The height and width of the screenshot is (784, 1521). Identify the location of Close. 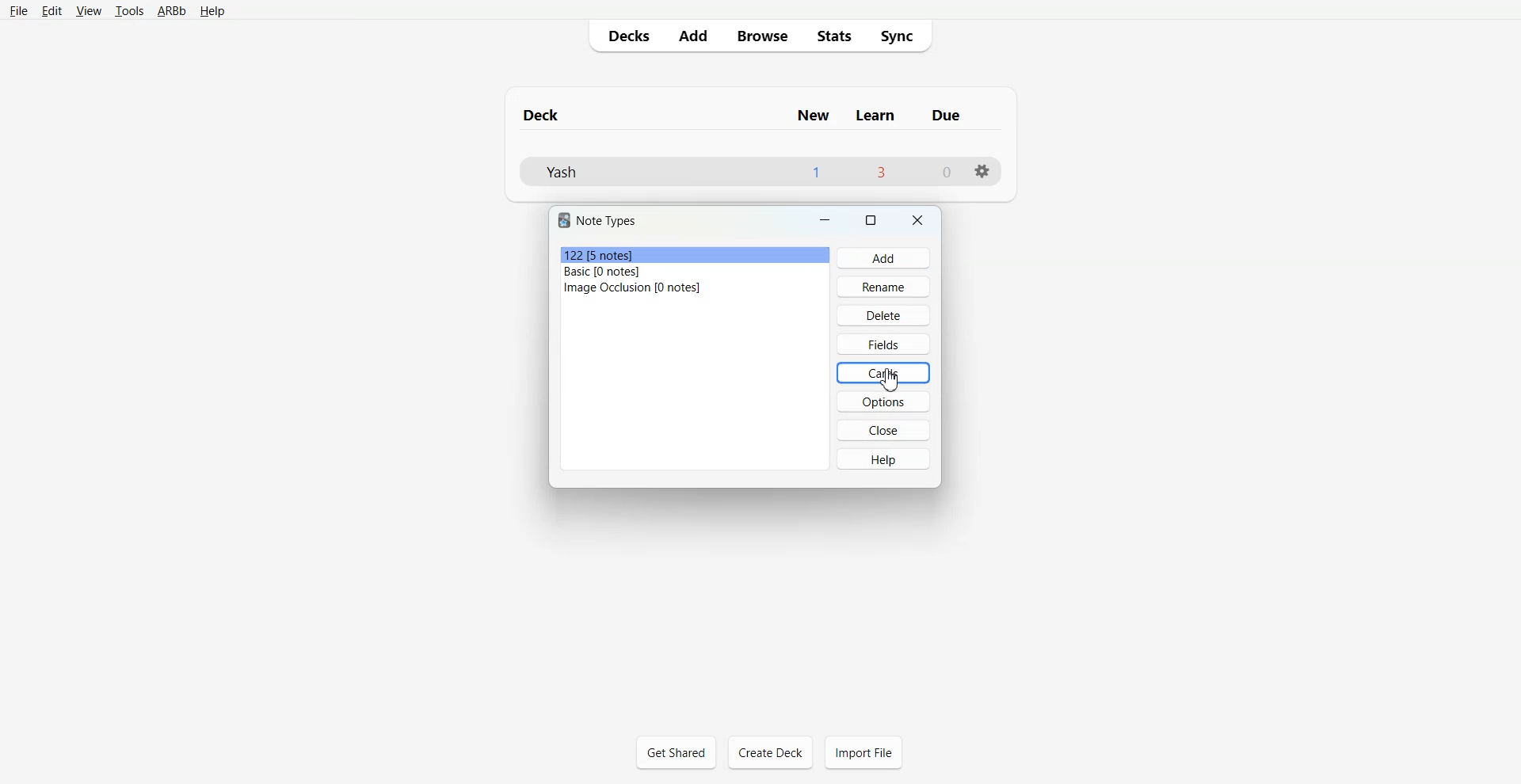
(918, 220).